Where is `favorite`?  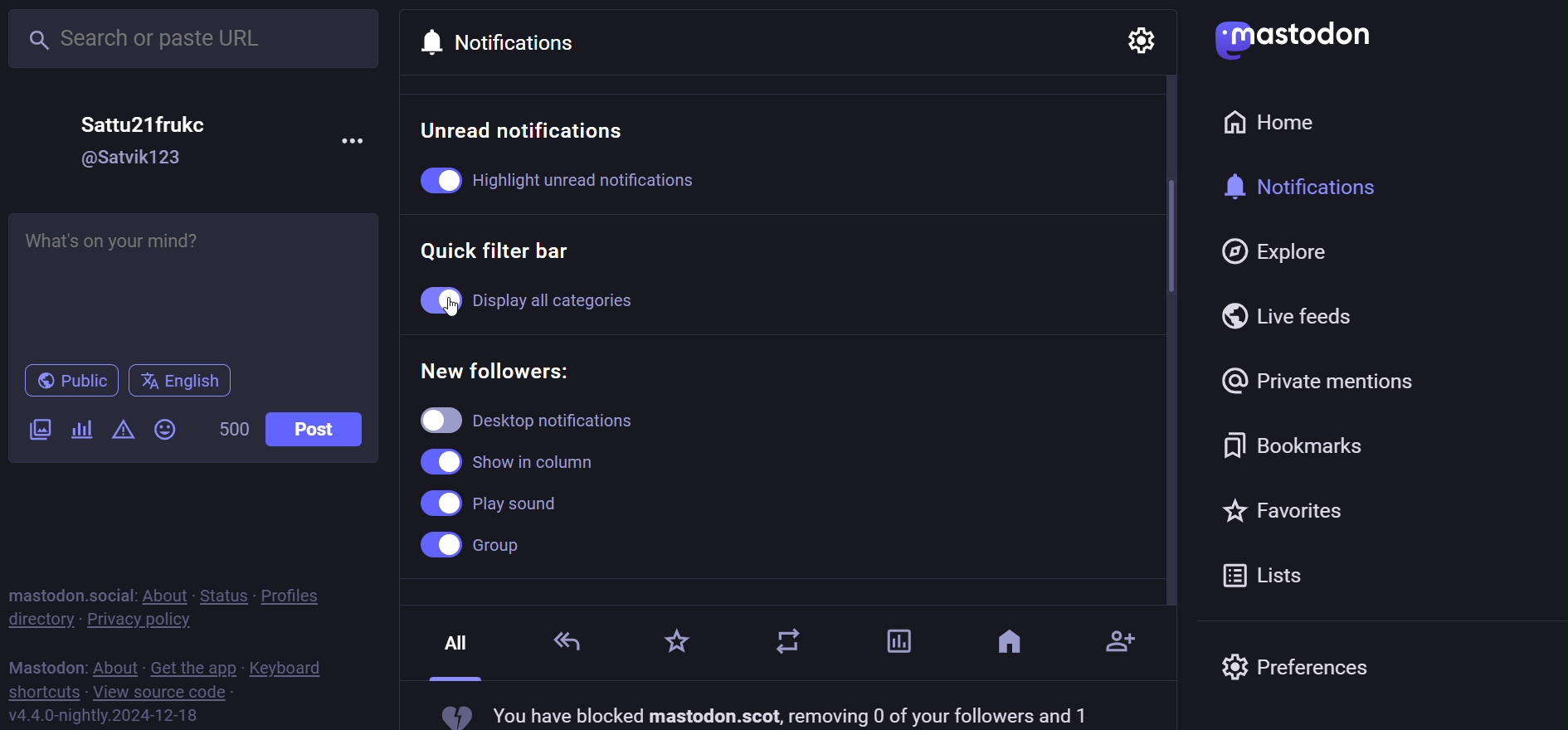
favorite is located at coordinates (1285, 509).